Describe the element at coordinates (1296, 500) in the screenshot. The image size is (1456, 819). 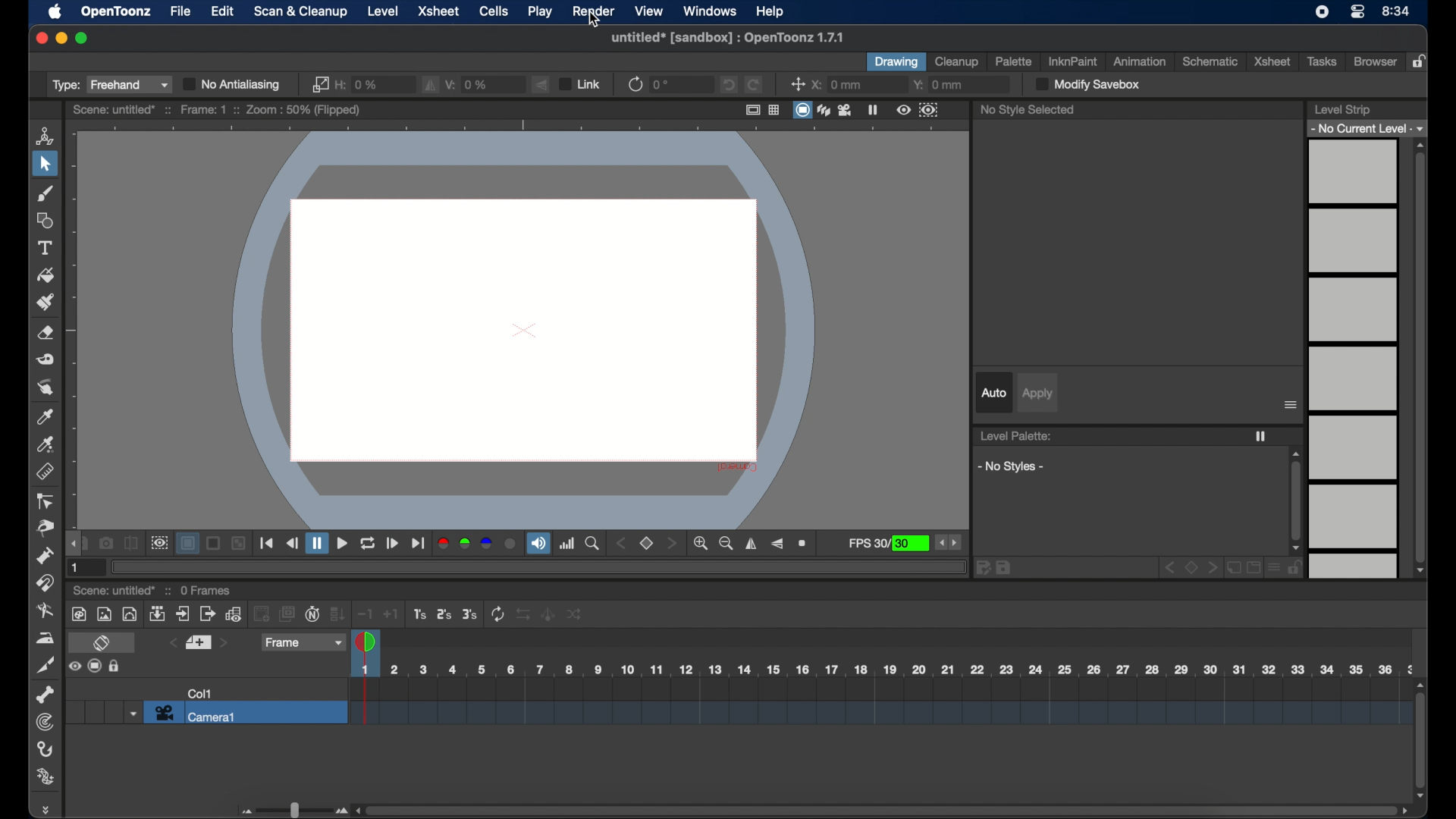
I see `scroll box` at that location.